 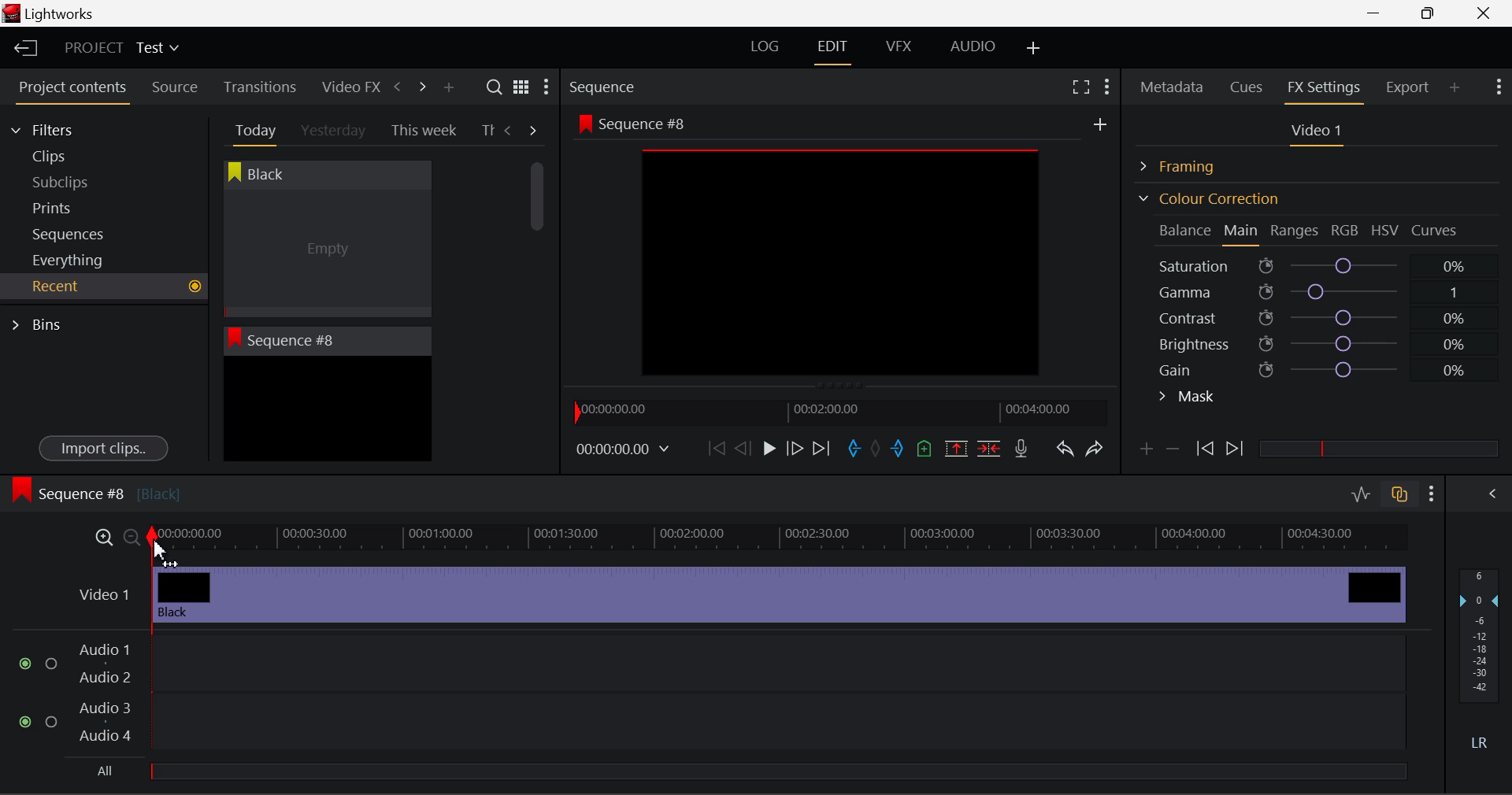 I want to click on Sequences, so click(x=72, y=232).